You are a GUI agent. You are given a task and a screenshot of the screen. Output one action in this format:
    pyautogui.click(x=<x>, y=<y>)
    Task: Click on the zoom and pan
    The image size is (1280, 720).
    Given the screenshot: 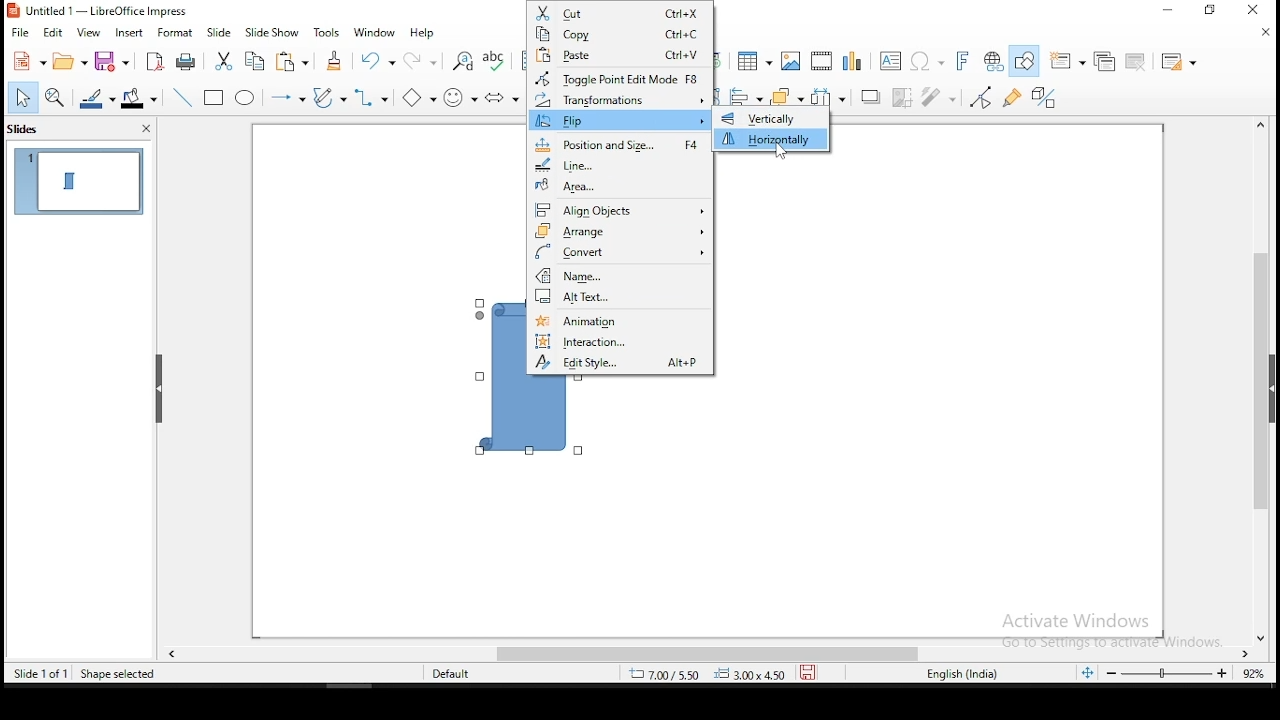 What is the action you would take?
    pyautogui.click(x=55, y=95)
    